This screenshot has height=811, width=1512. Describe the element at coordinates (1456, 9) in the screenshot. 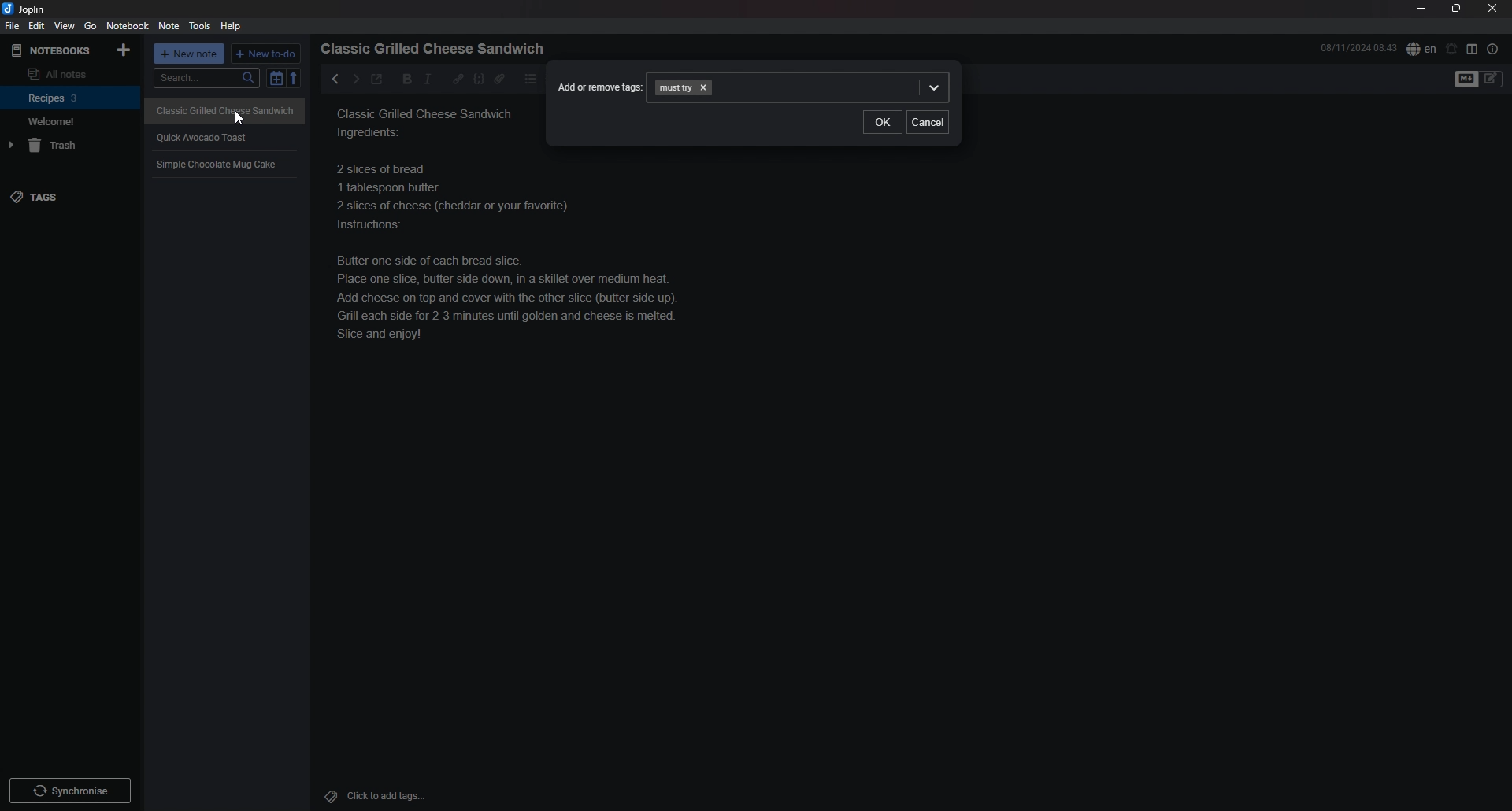

I see `resize` at that location.